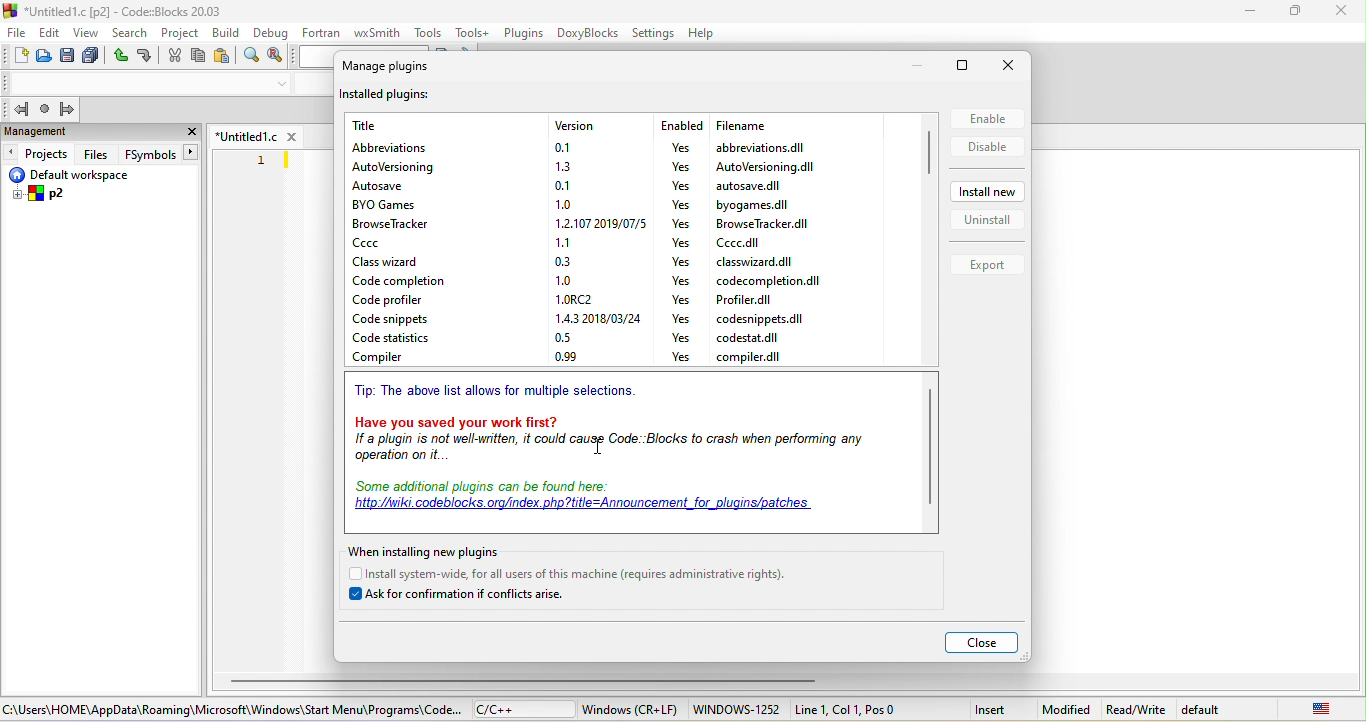  Describe the element at coordinates (499, 395) in the screenshot. I see `tip the above list allow for multiple selections` at that location.